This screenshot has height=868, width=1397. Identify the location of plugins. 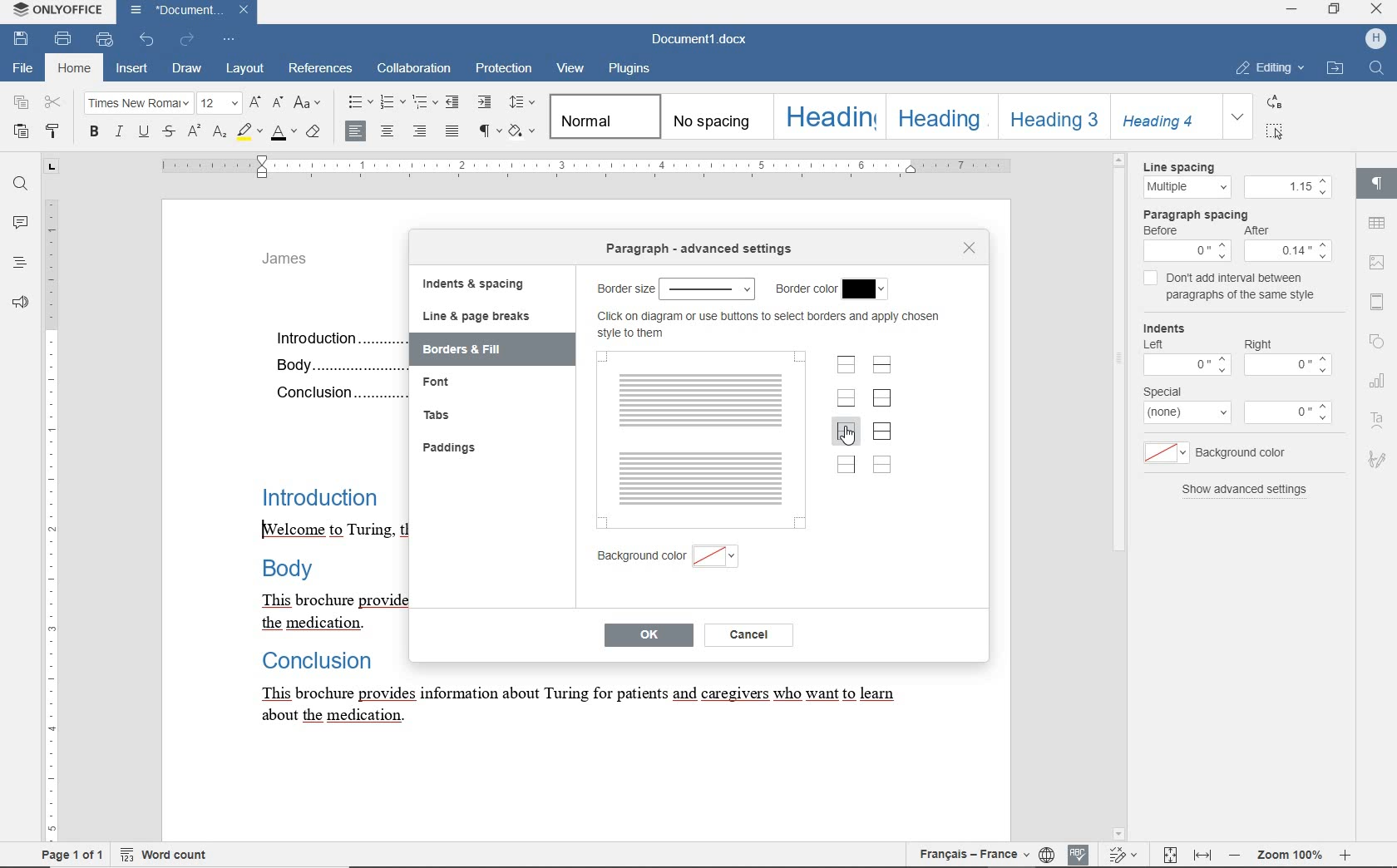
(630, 70).